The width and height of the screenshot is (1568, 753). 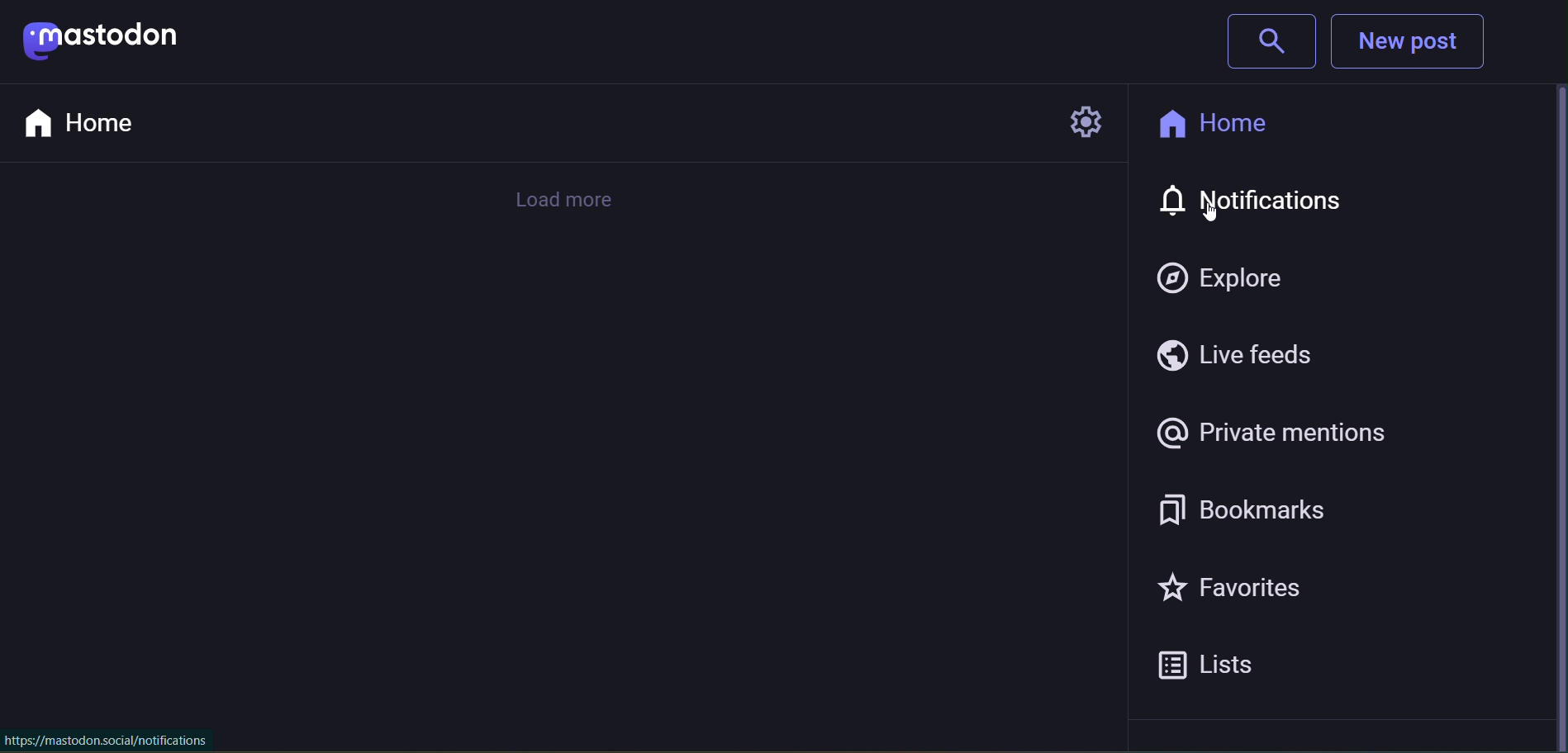 I want to click on notifications, so click(x=1240, y=203).